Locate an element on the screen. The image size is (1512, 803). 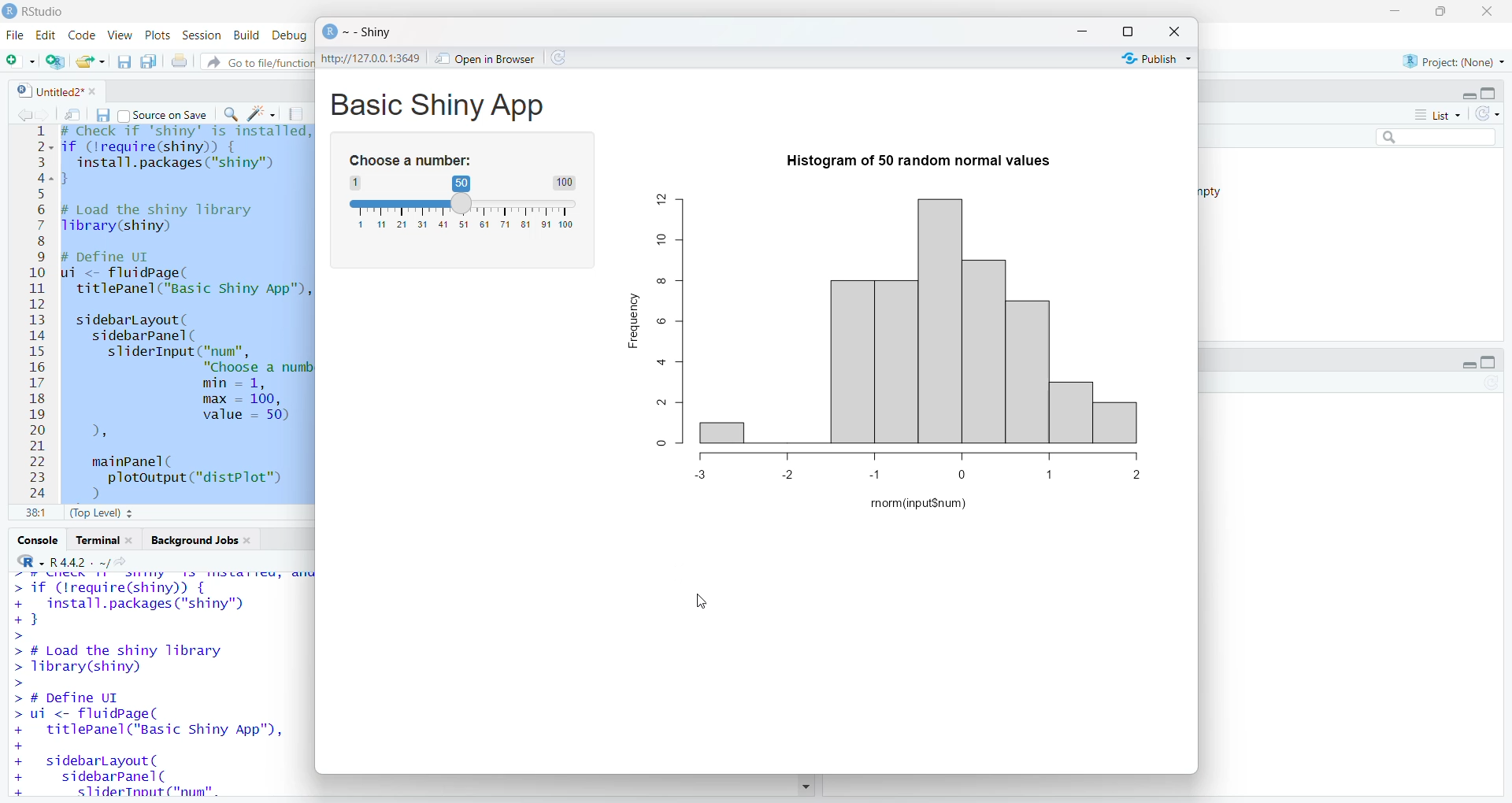
check if shiny is installed and install if its not  if (require(shiny)) {install.packages ("shiny")a } is located at coordinates (185, 155).